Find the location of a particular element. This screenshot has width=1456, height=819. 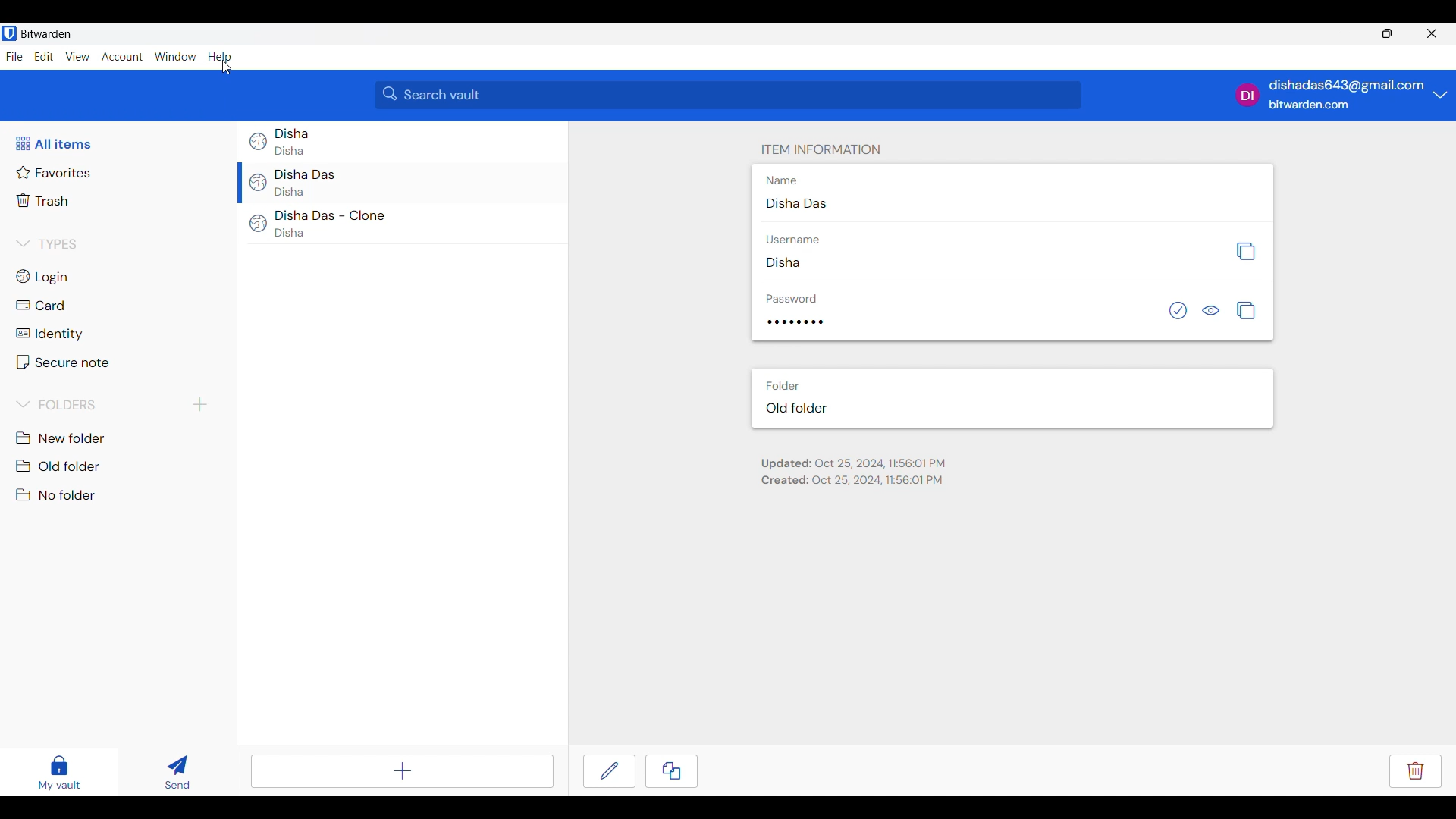

Search vault is located at coordinates (729, 95).